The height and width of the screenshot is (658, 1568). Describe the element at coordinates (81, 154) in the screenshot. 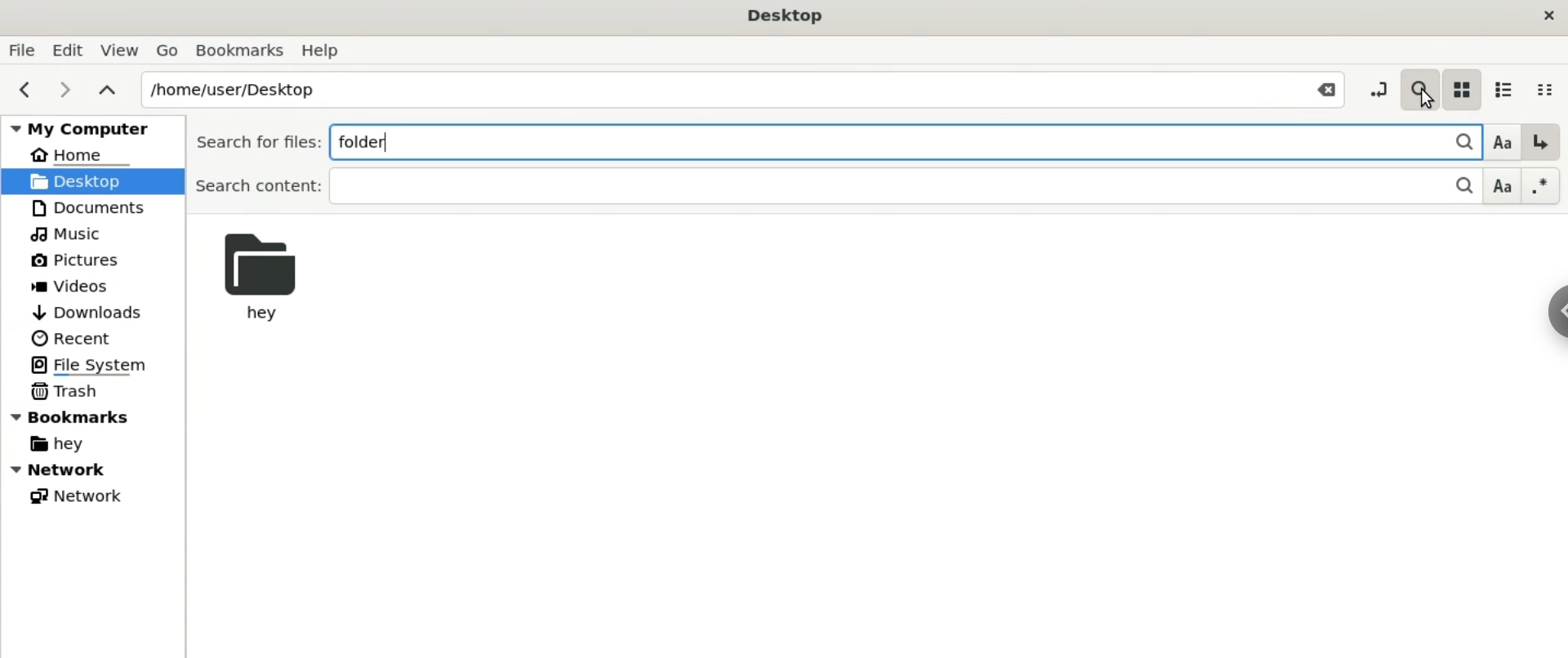

I see `Home` at that location.